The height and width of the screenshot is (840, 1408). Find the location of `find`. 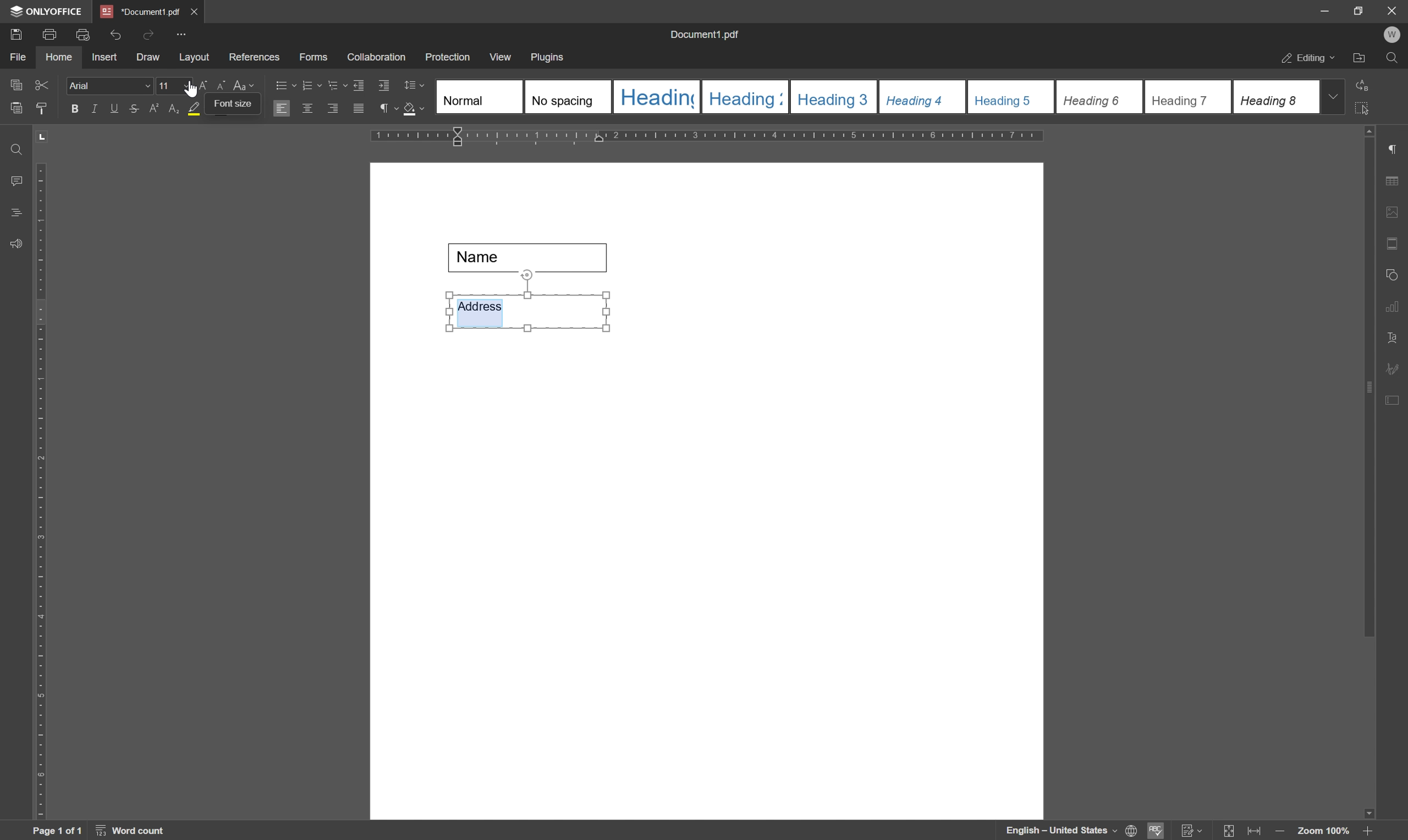

find is located at coordinates (14, 146).